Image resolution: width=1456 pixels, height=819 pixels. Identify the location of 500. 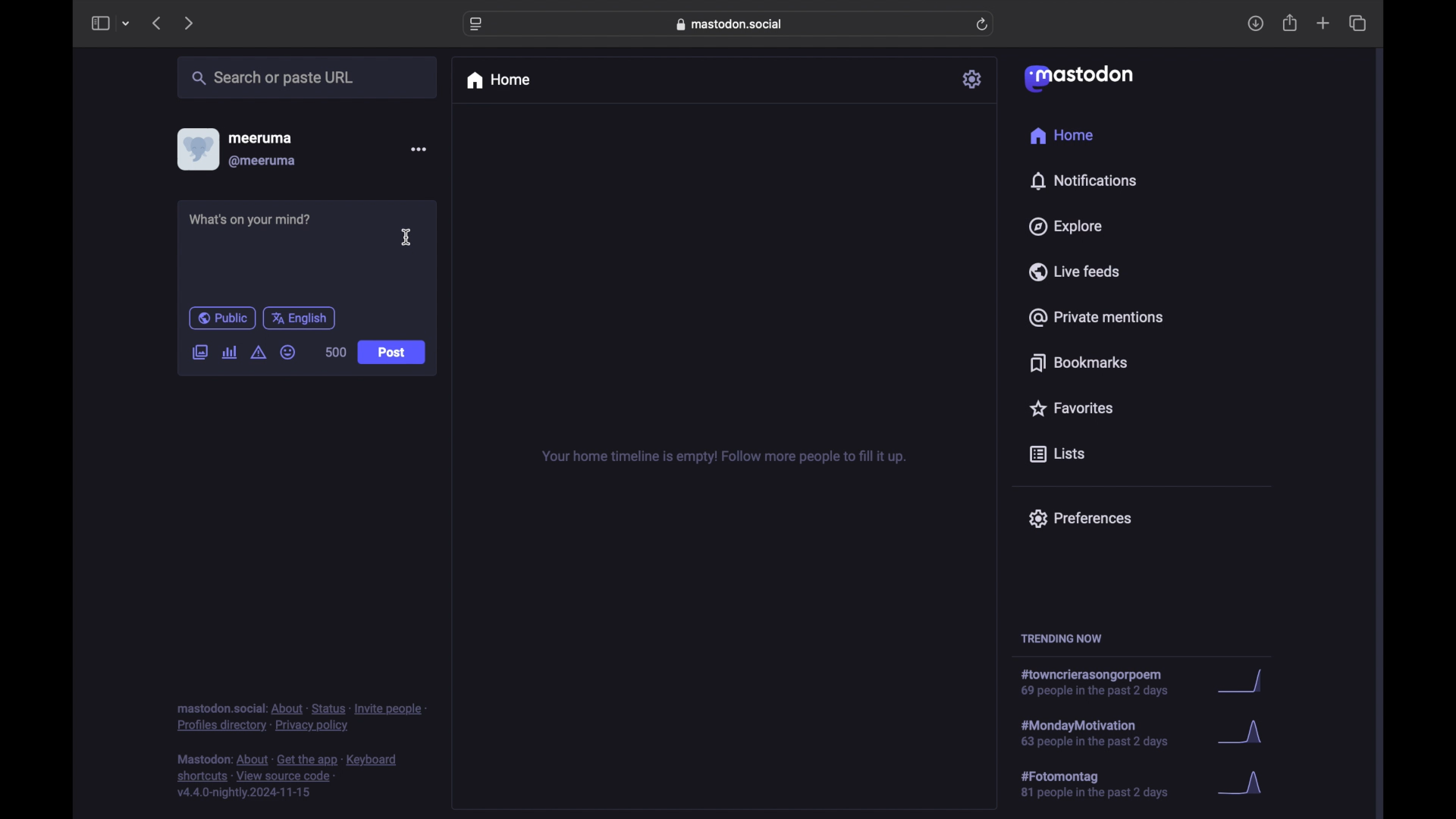
(335, 352).